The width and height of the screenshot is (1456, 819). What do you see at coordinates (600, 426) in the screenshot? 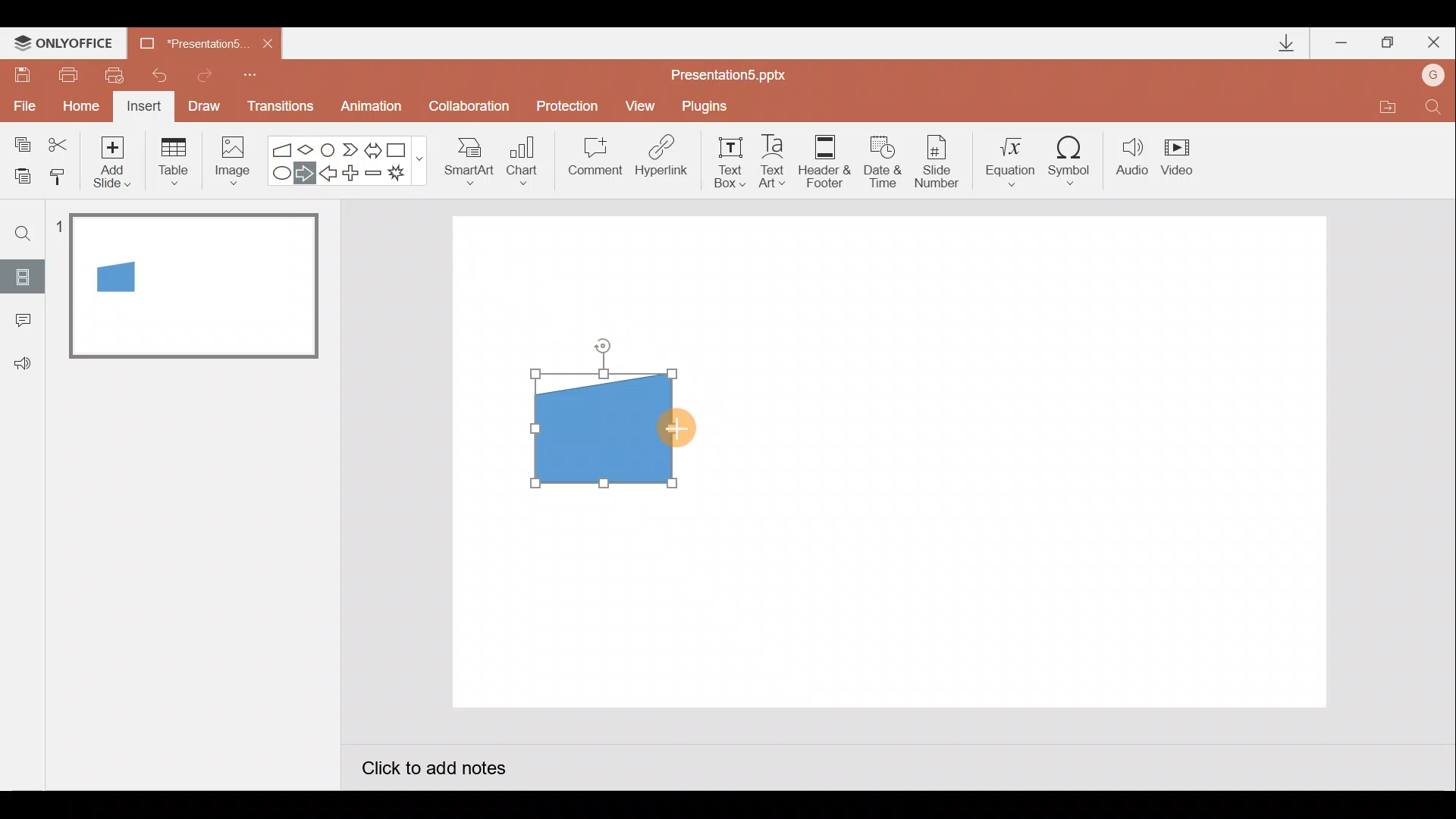
I see `Manual input flow chart ` at bounding box center [600, 426].